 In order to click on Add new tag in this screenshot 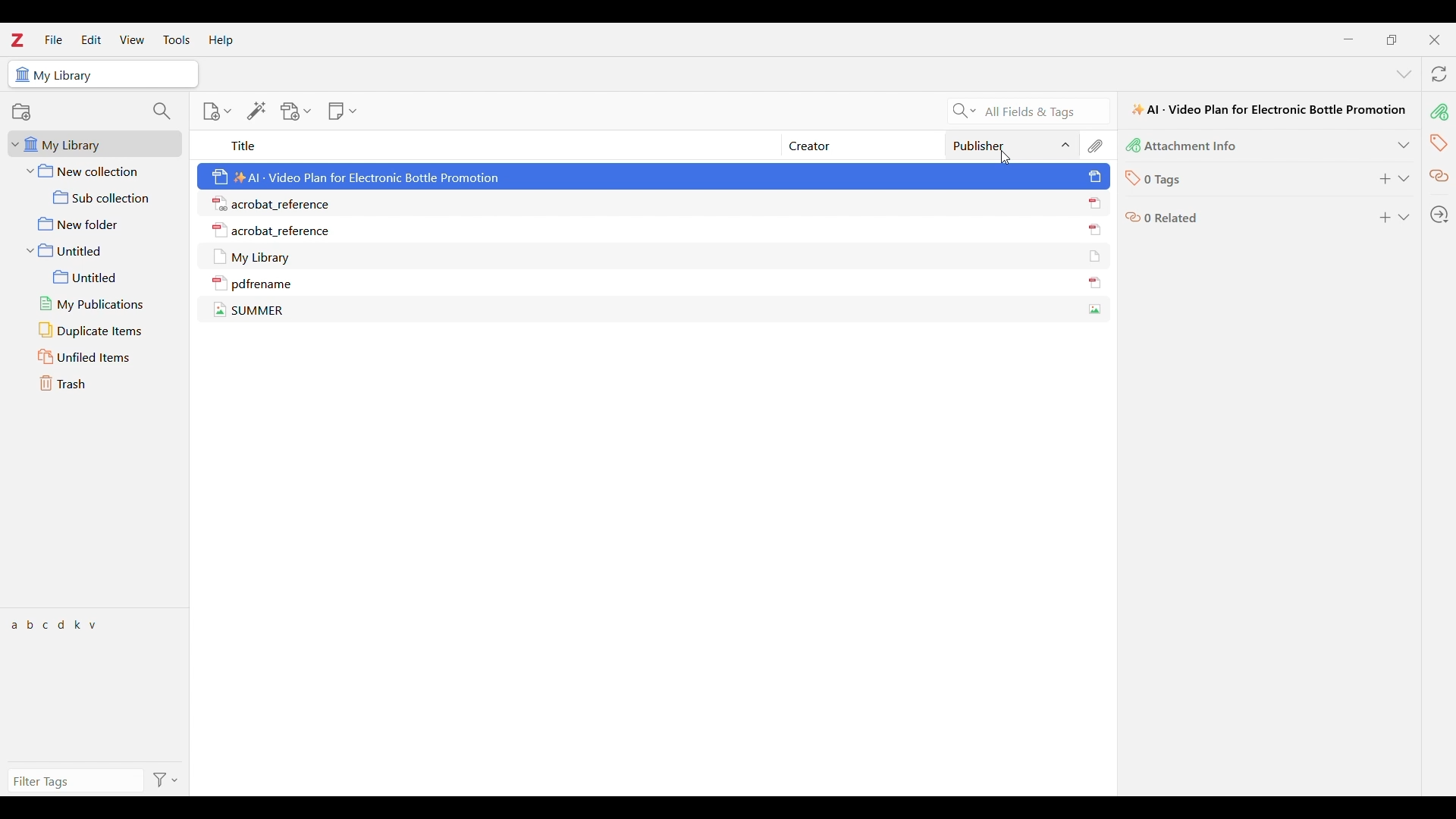, I will do `click(1384, 179)`.